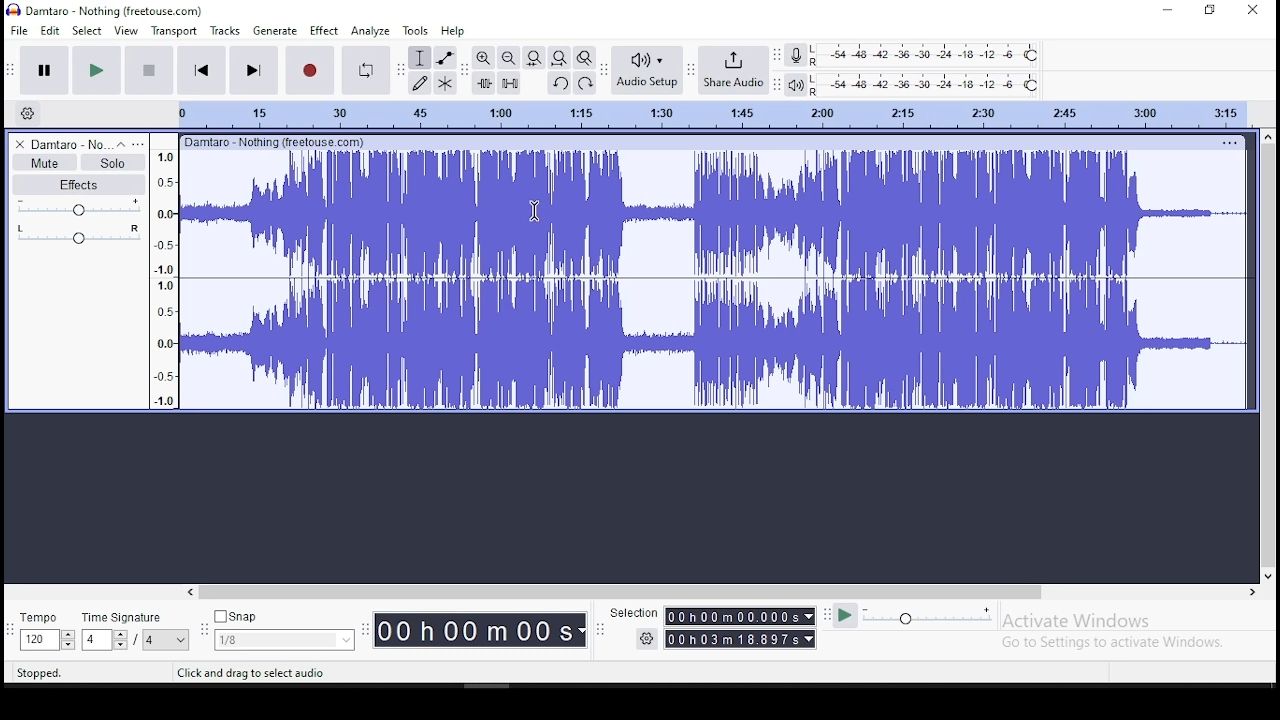 The width and height of the screenshot is (1280, 720). What do you see at coordinates (311, 71) in the screenshot?
I see `record` at bounding box center [311, 71].